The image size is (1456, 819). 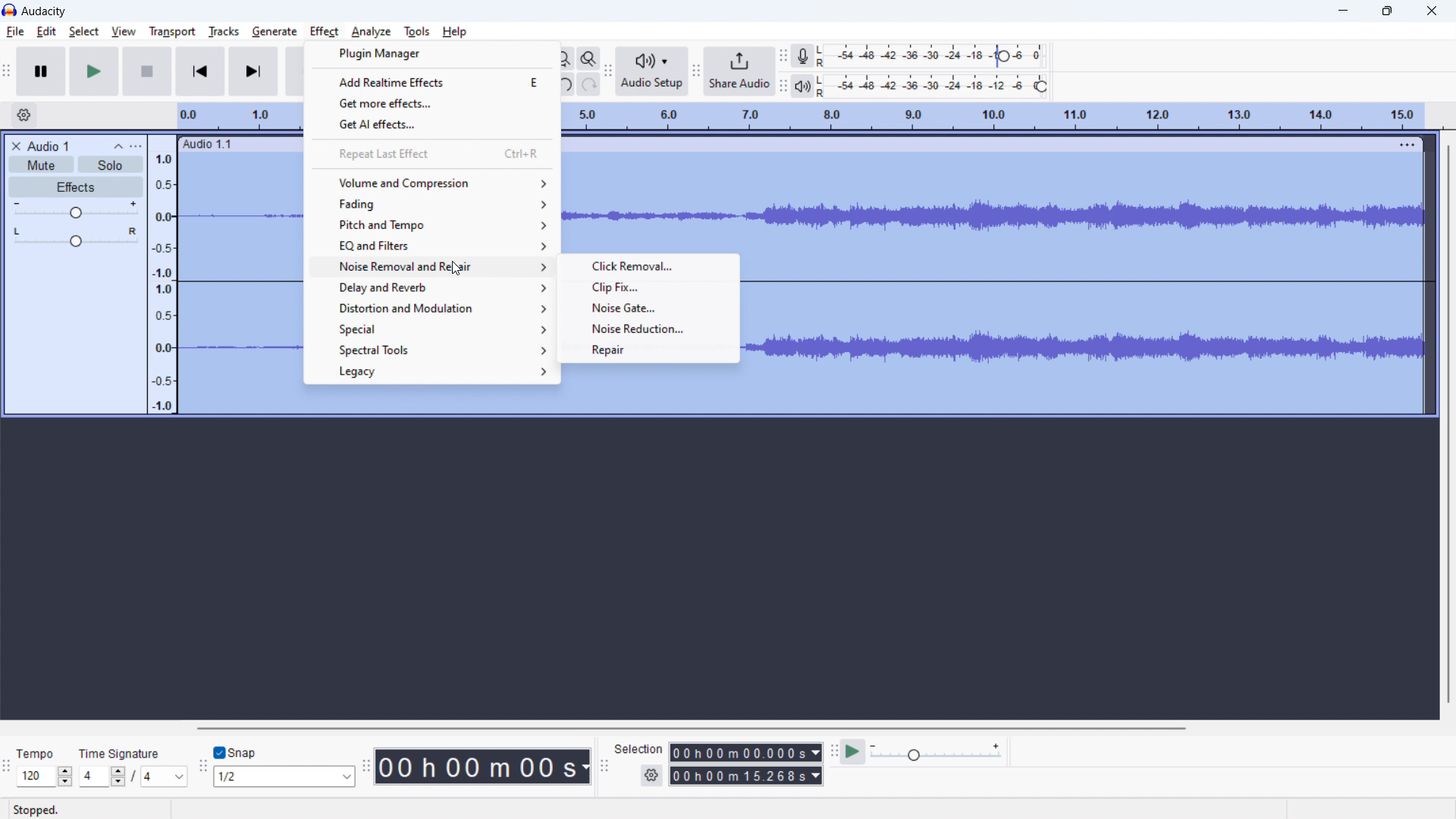 I want to click on effects, so click(x=77, y=187).